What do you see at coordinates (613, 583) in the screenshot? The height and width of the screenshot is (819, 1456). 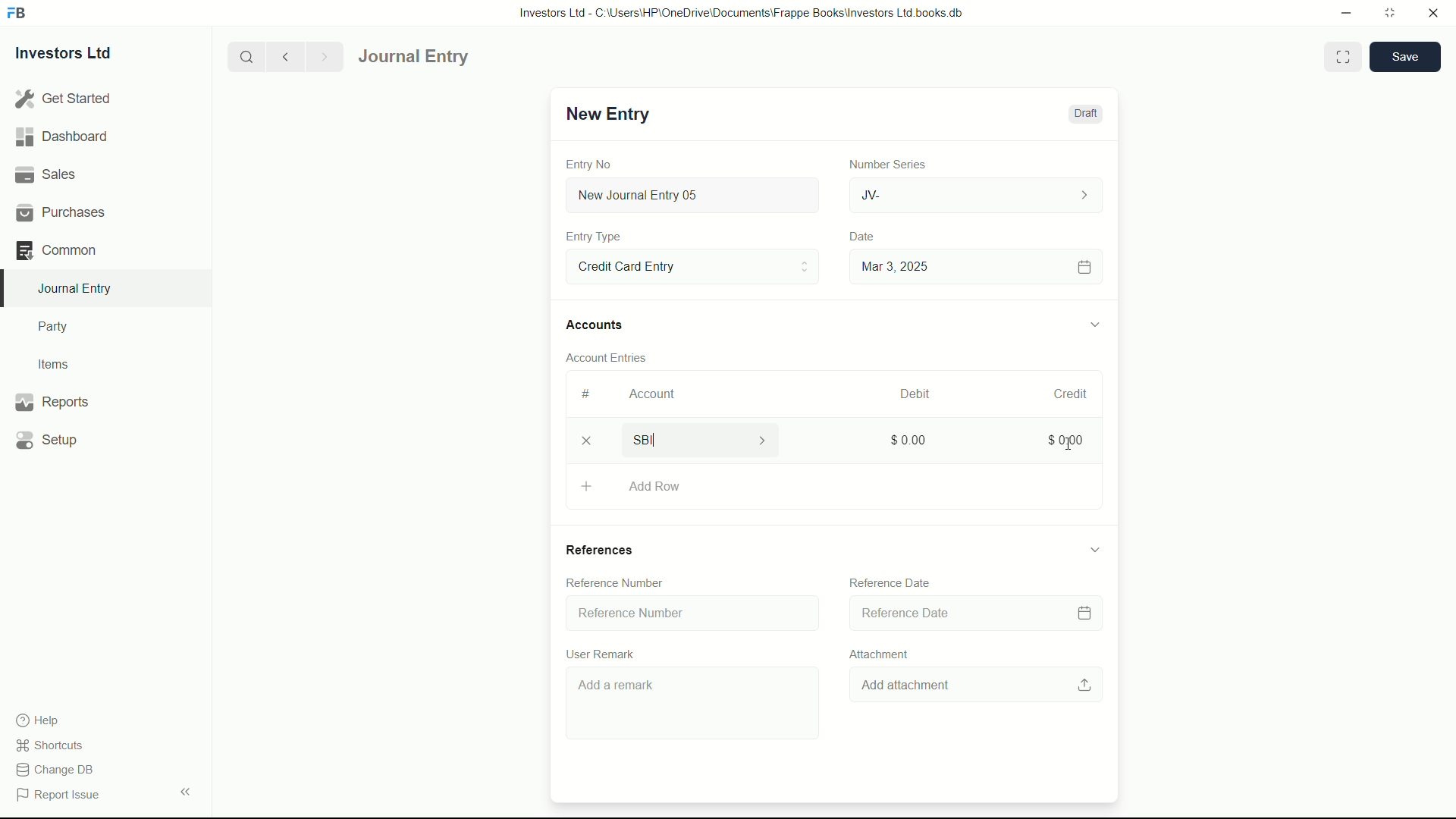 I see `Reference Number` at bounding box center [613, 583].